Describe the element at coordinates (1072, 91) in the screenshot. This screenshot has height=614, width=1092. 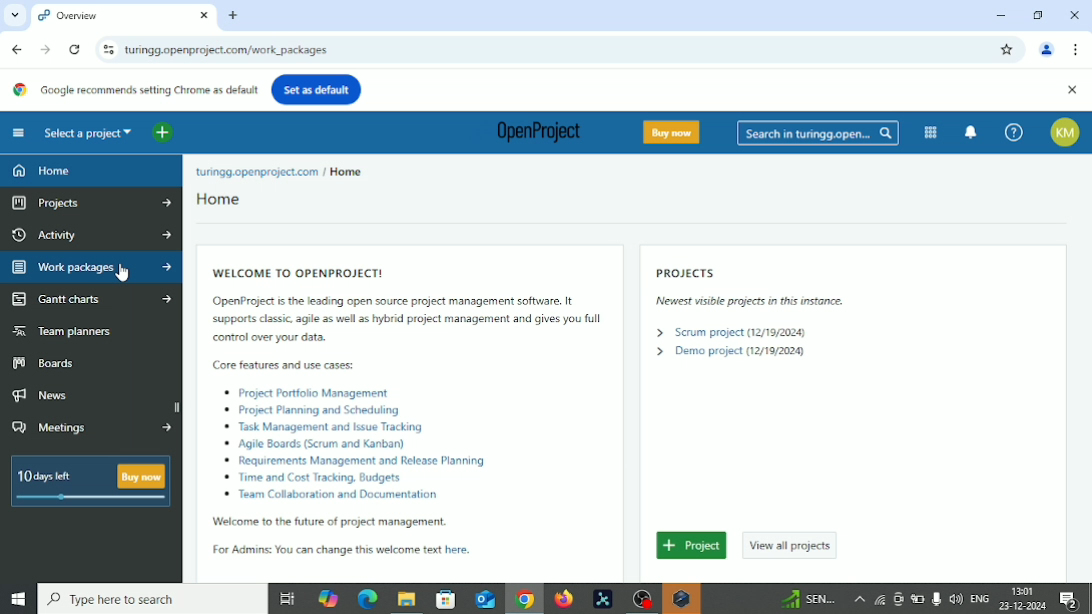
I see `Close` at that location.